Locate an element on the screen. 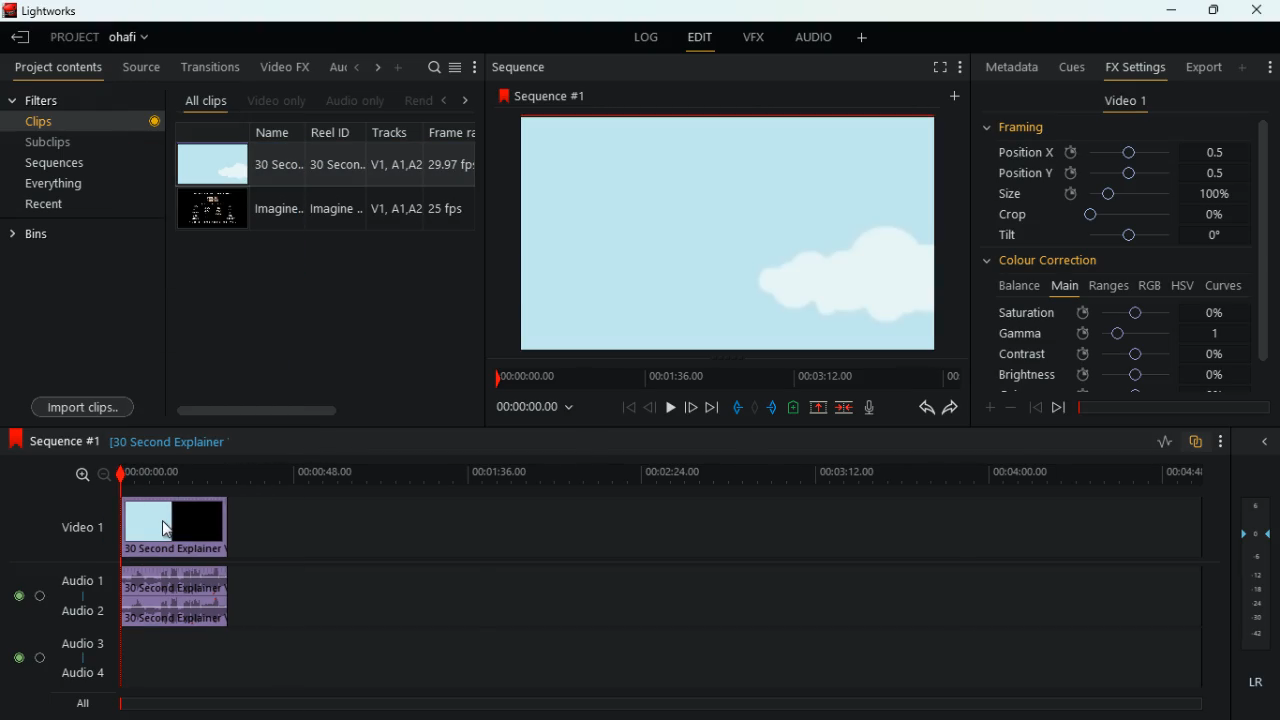 The image size is (1280, 720). rgb is located at coordinates (1151, 284).